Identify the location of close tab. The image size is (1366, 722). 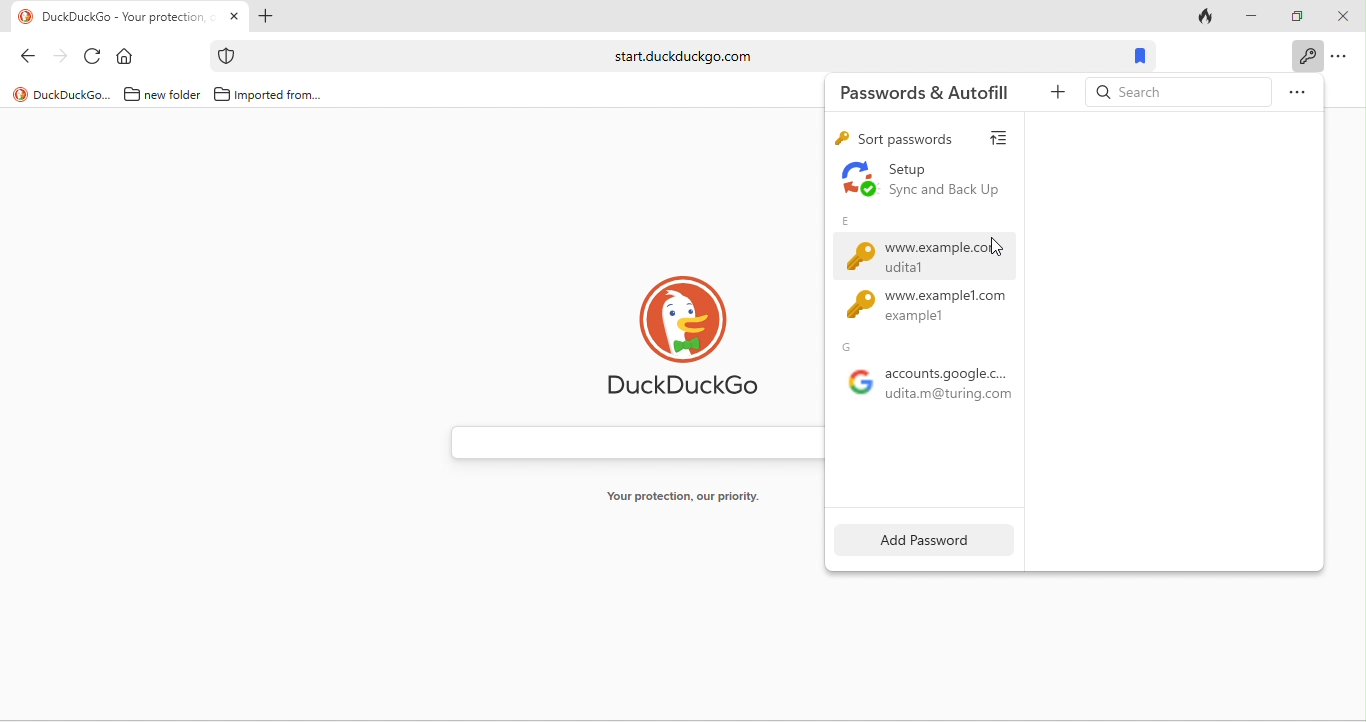
(235, 16).